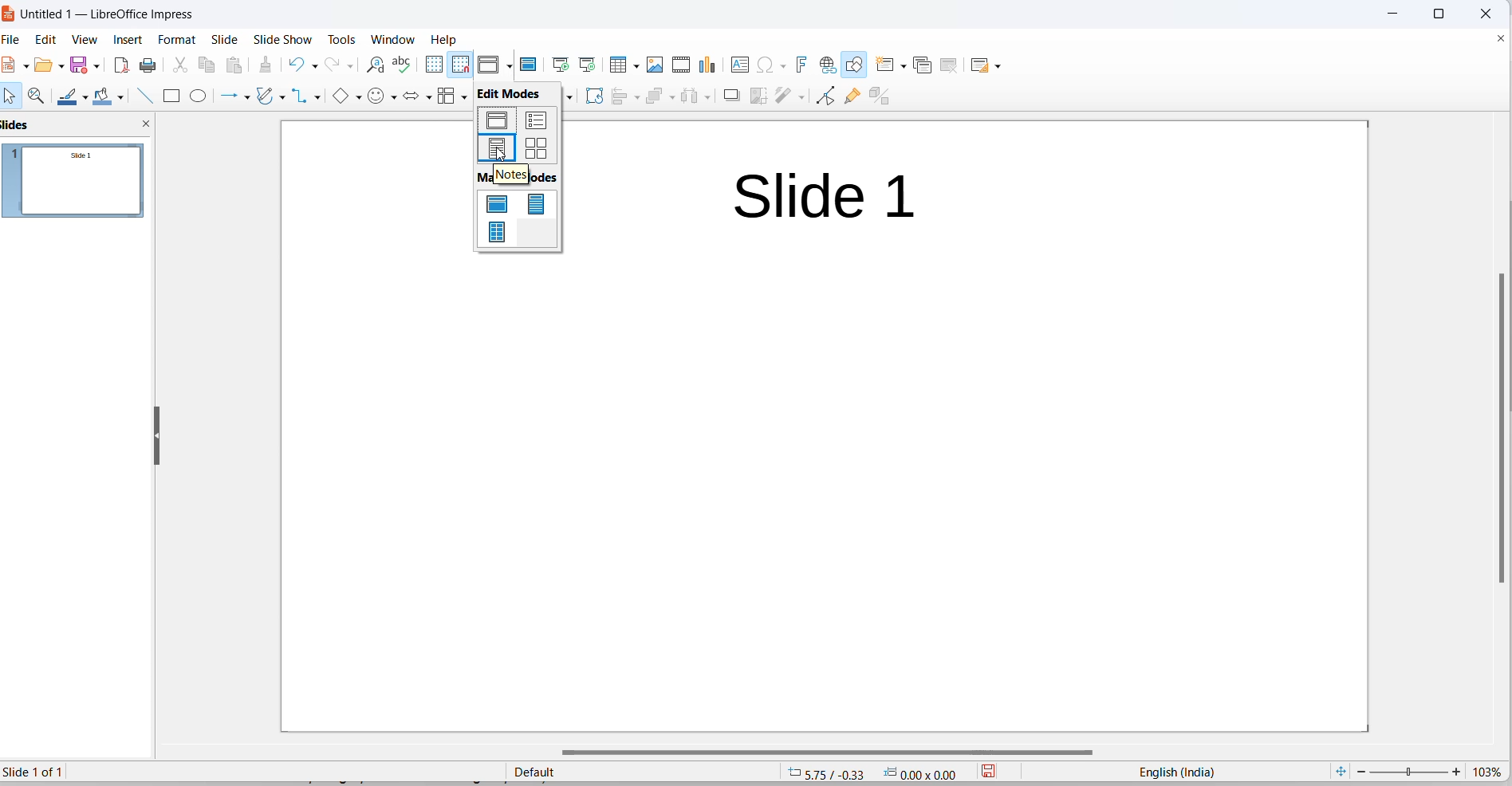 The image size is (1512, 786). Describe the element at coordinates (682, 64) in the screenshot. I see `insert audio and video` at that location.